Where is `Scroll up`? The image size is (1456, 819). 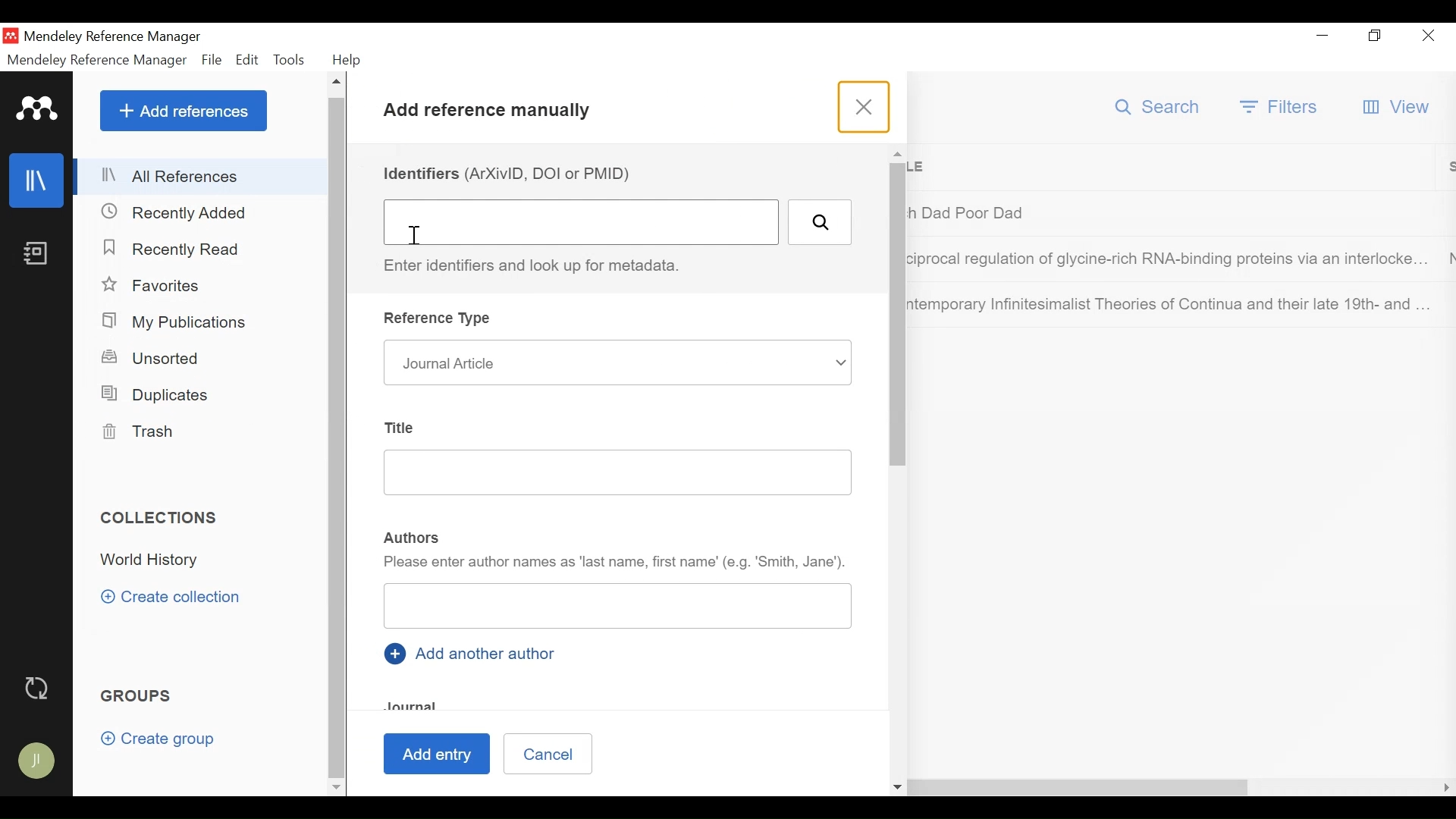 Scroll up is located at coordinates (338, 83).